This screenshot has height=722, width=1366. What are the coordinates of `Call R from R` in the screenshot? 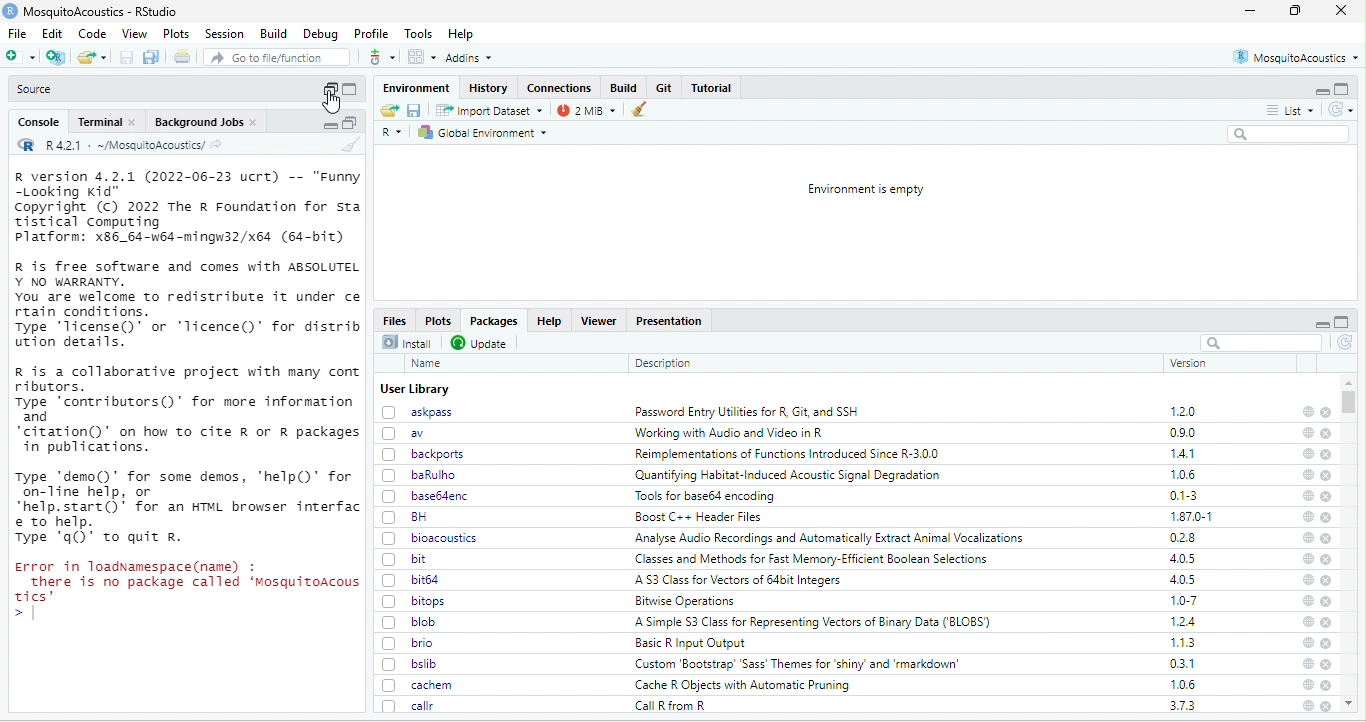 It's located at (669, 704).